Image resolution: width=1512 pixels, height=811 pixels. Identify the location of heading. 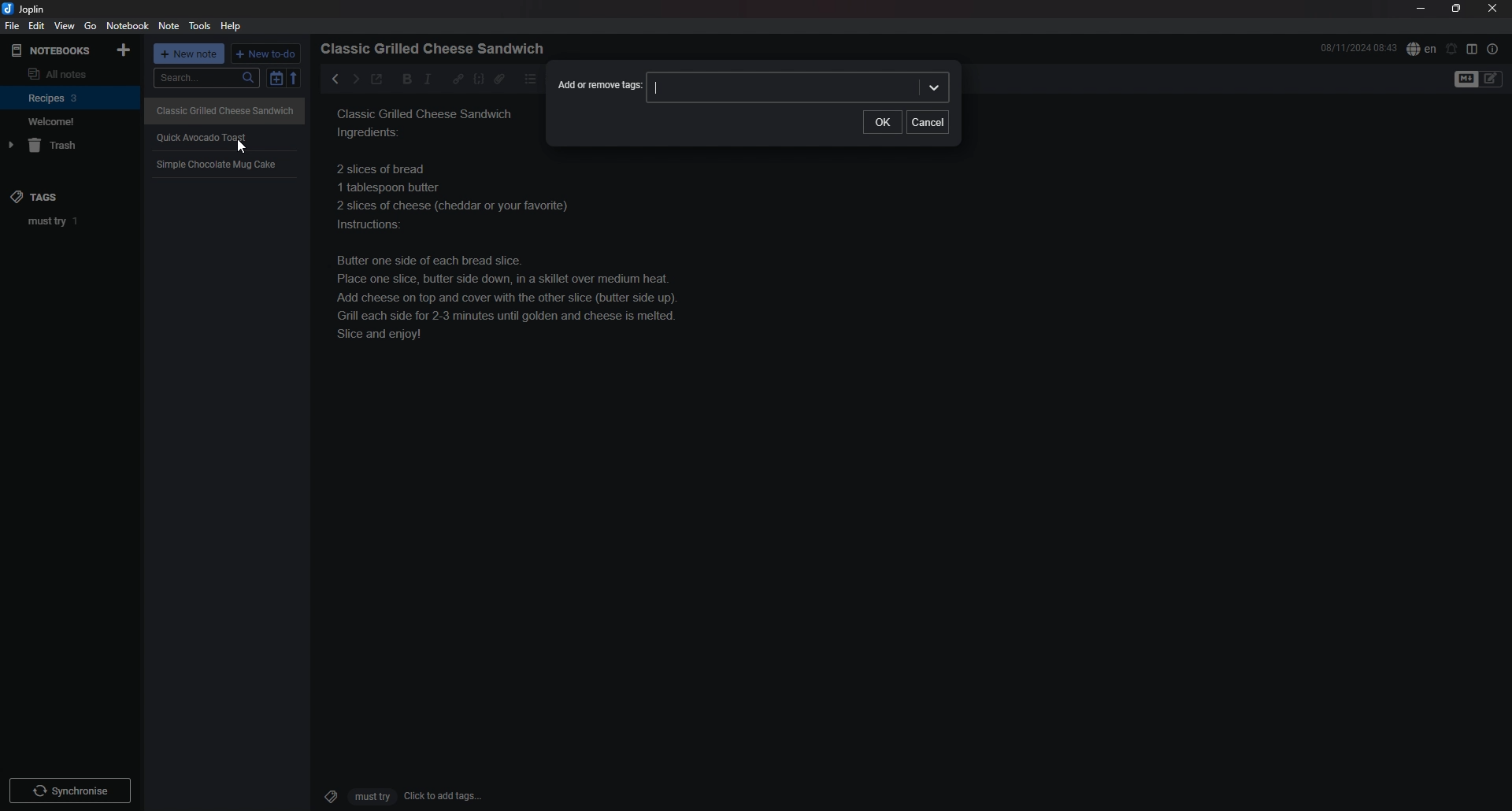
(437, 49).